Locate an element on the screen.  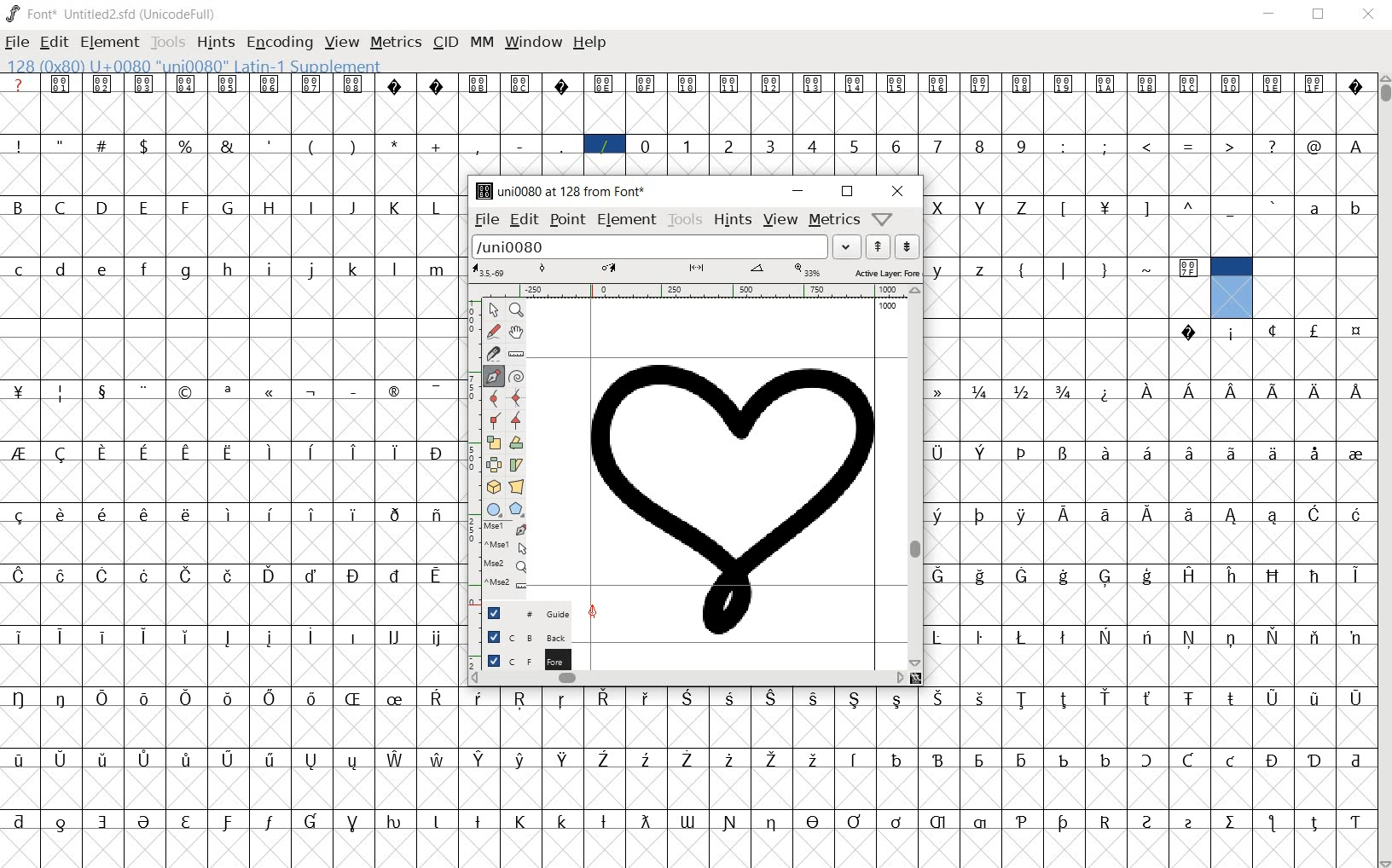
glyph is located at coordinates (184, 272).